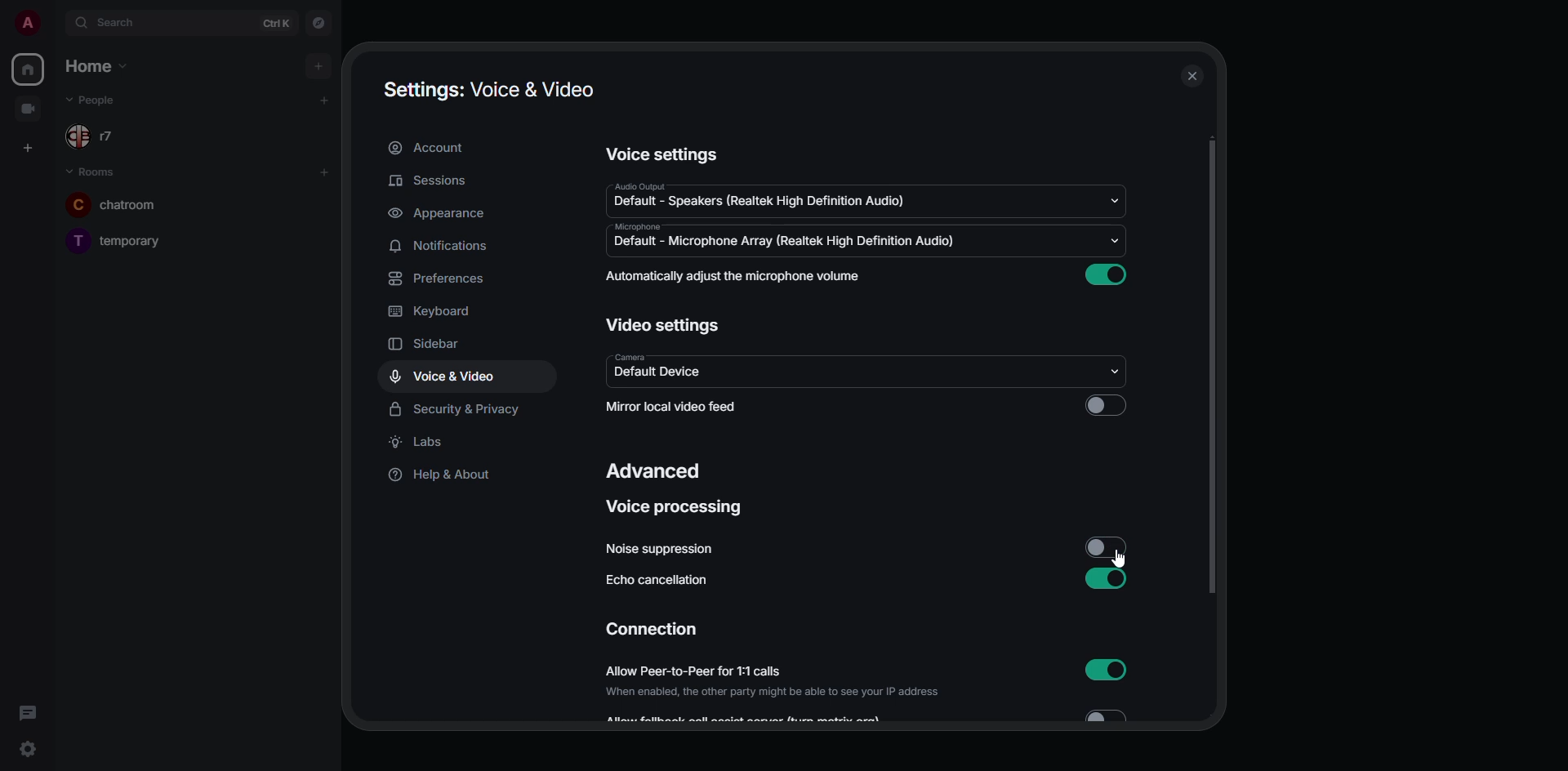 The height and width of the screenshot is (771, 1568). What do you see at coordinates (1125, 559) in the screenshot?
I see `cursor` at bounding box center [1125, 559].